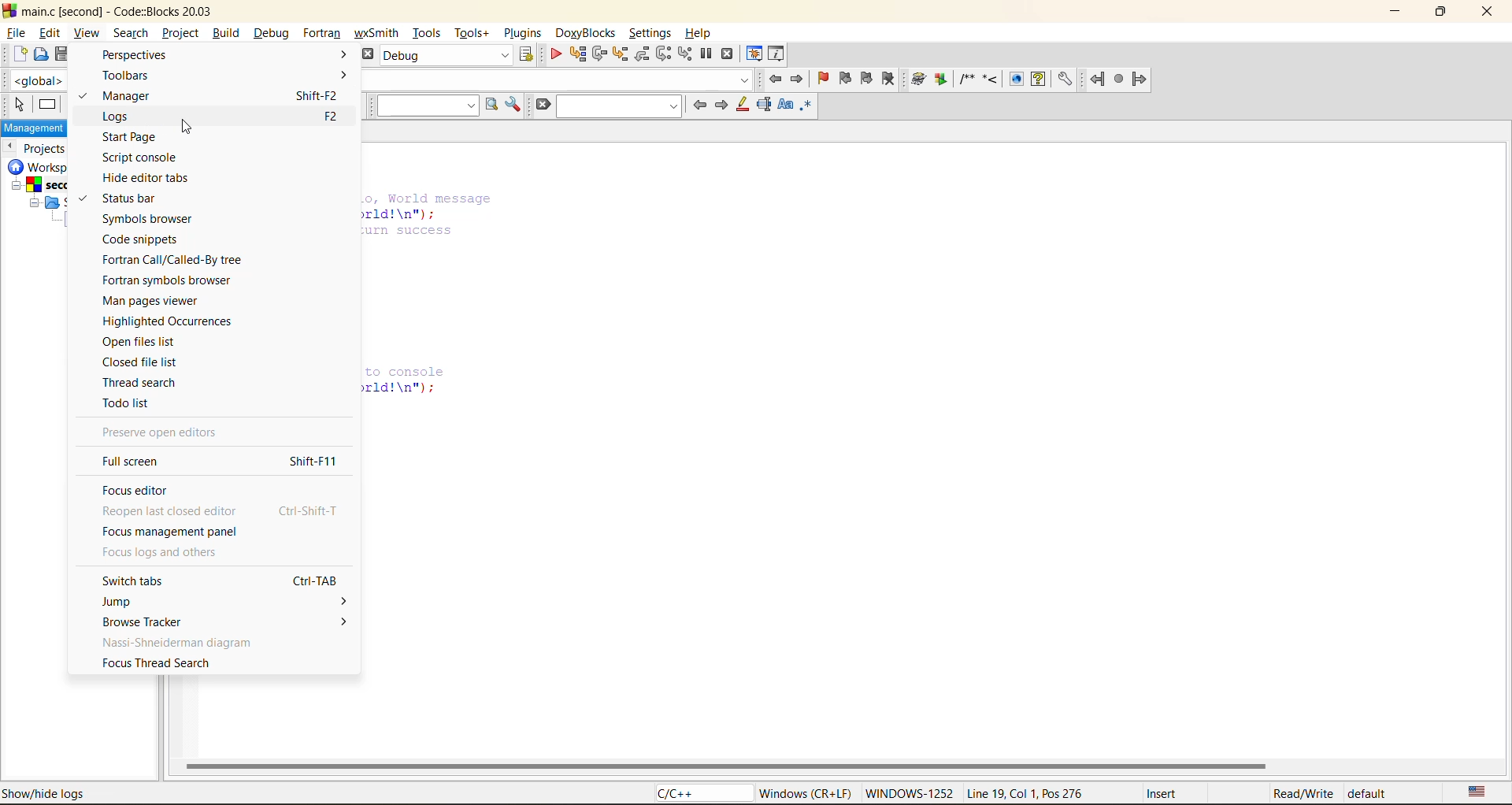 The image size is (1512, 805). Describe the element at coordinates (730, 53) in the screenshot. I see `stop debugger` at that location.